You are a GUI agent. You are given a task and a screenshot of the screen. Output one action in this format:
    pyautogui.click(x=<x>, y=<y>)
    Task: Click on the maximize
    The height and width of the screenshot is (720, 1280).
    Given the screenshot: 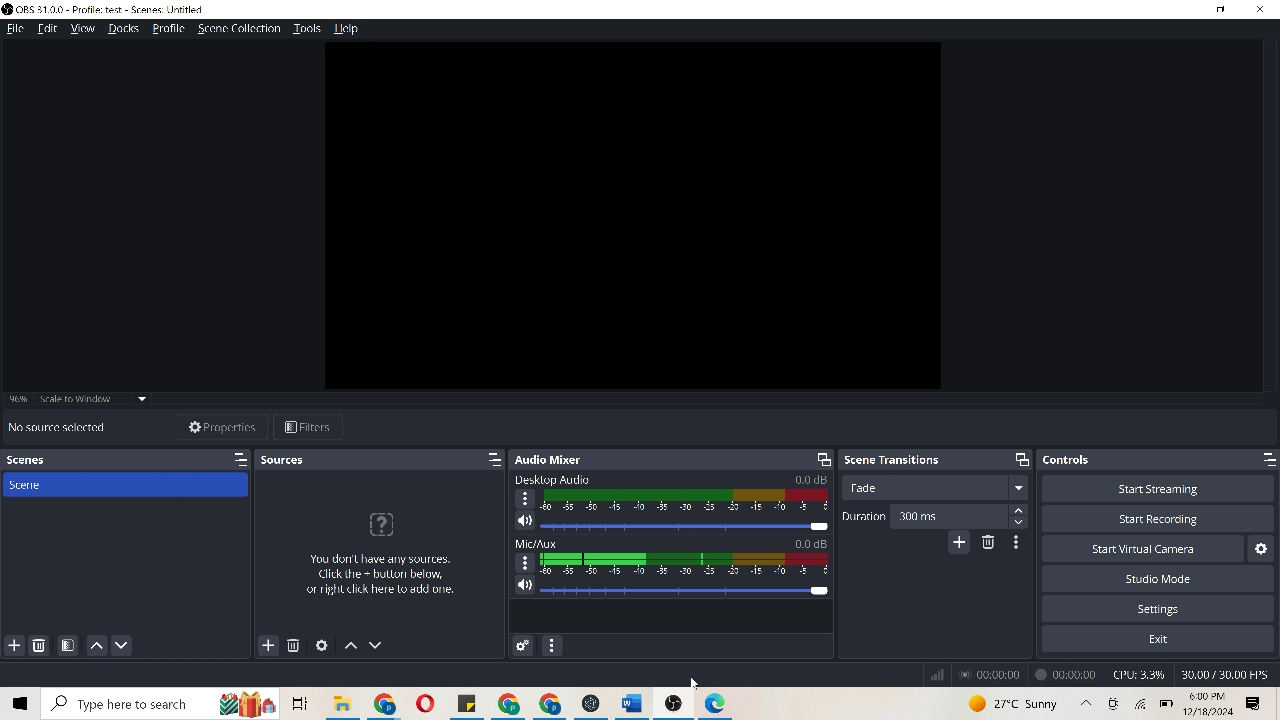 What is the action you would take?
    pyautogui.click(x=1020, y=458)
    